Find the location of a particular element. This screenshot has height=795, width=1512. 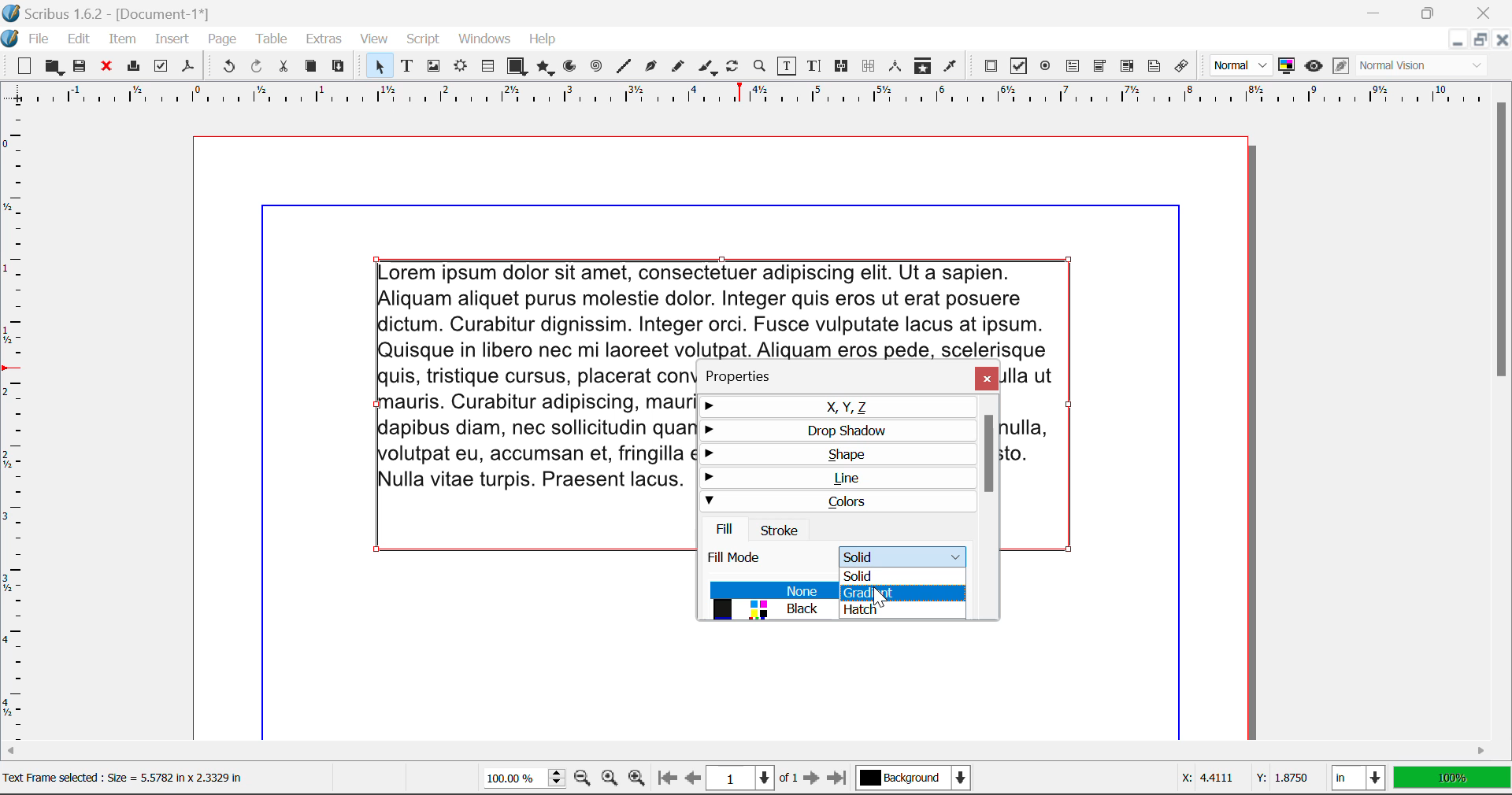

Zoom 100% is located at coordinates (524, 780).